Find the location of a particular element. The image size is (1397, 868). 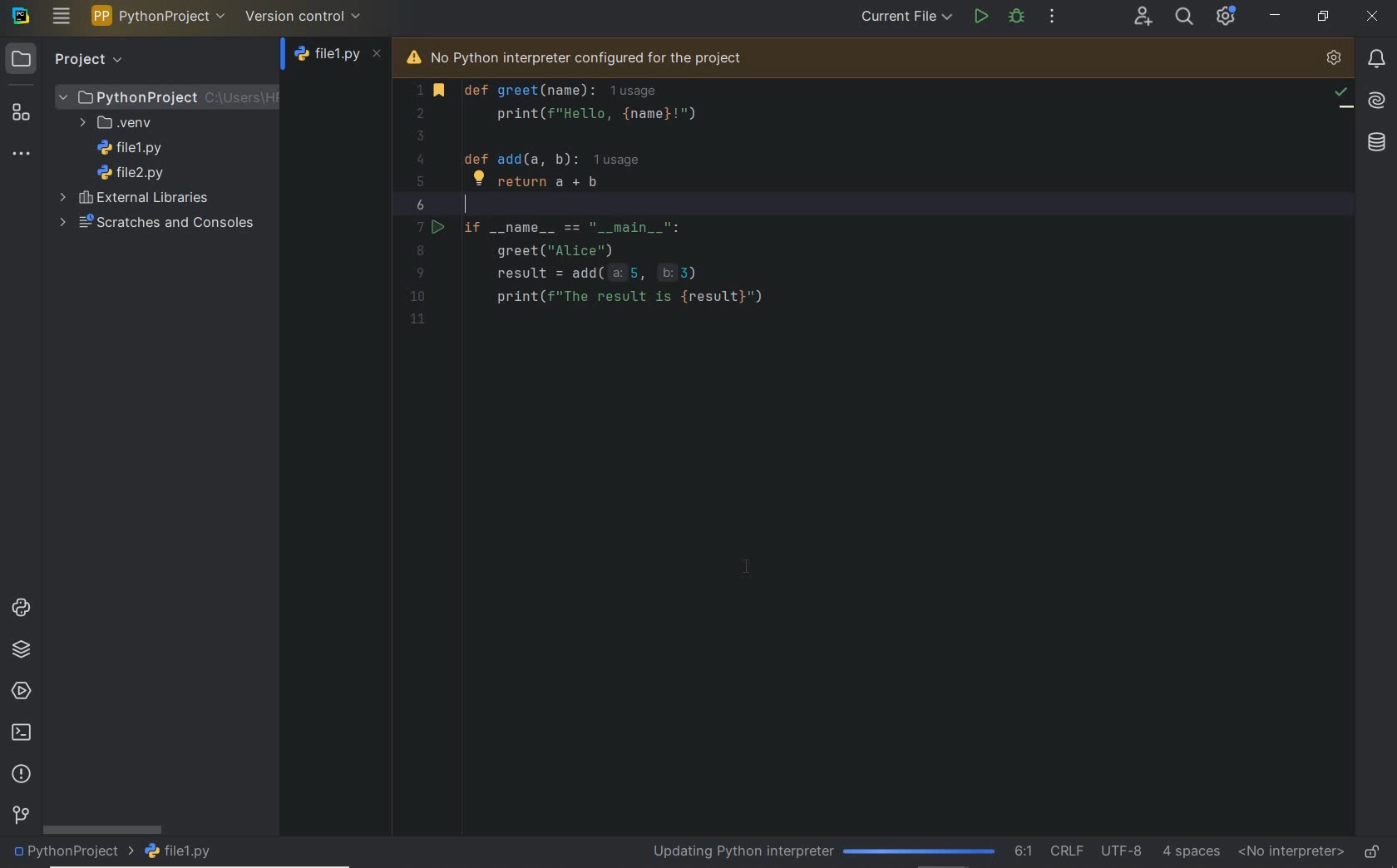

services is located at coordinates (22, 693).